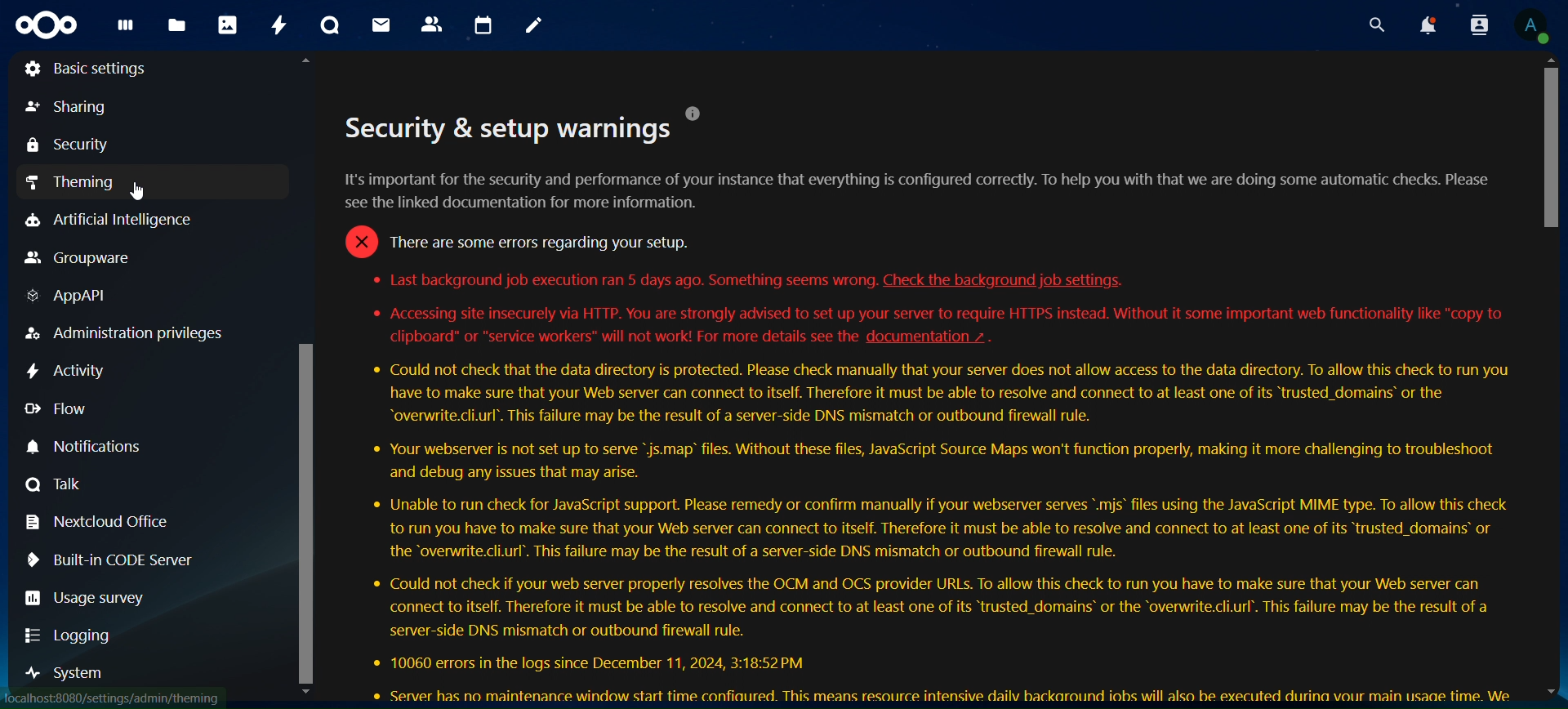  What do you see at coordinates (74, 182) in the screenshot?
I see `theming` at bounding box center [74, 182].